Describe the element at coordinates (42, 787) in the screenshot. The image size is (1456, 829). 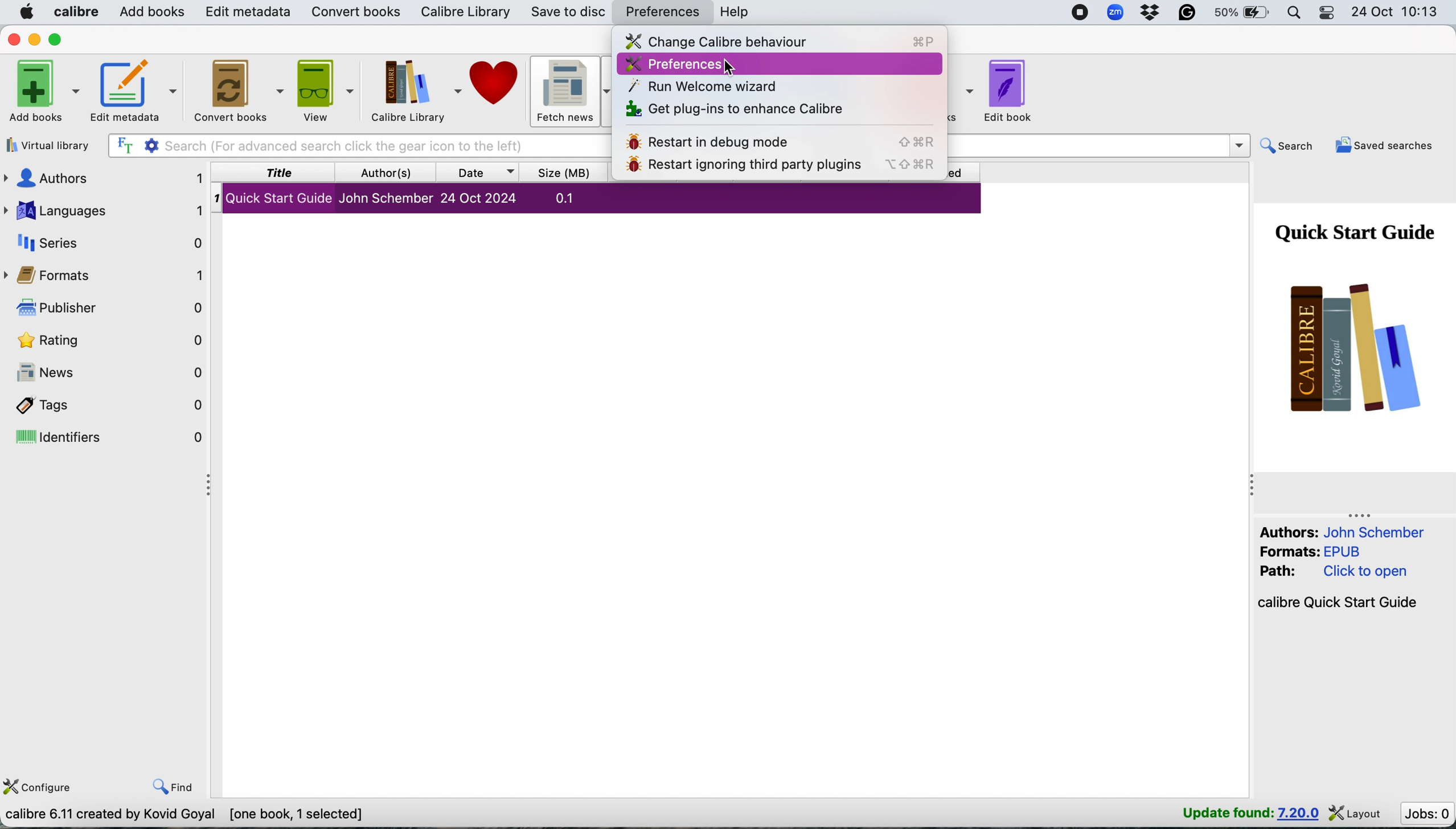
I see `configure` at that location.